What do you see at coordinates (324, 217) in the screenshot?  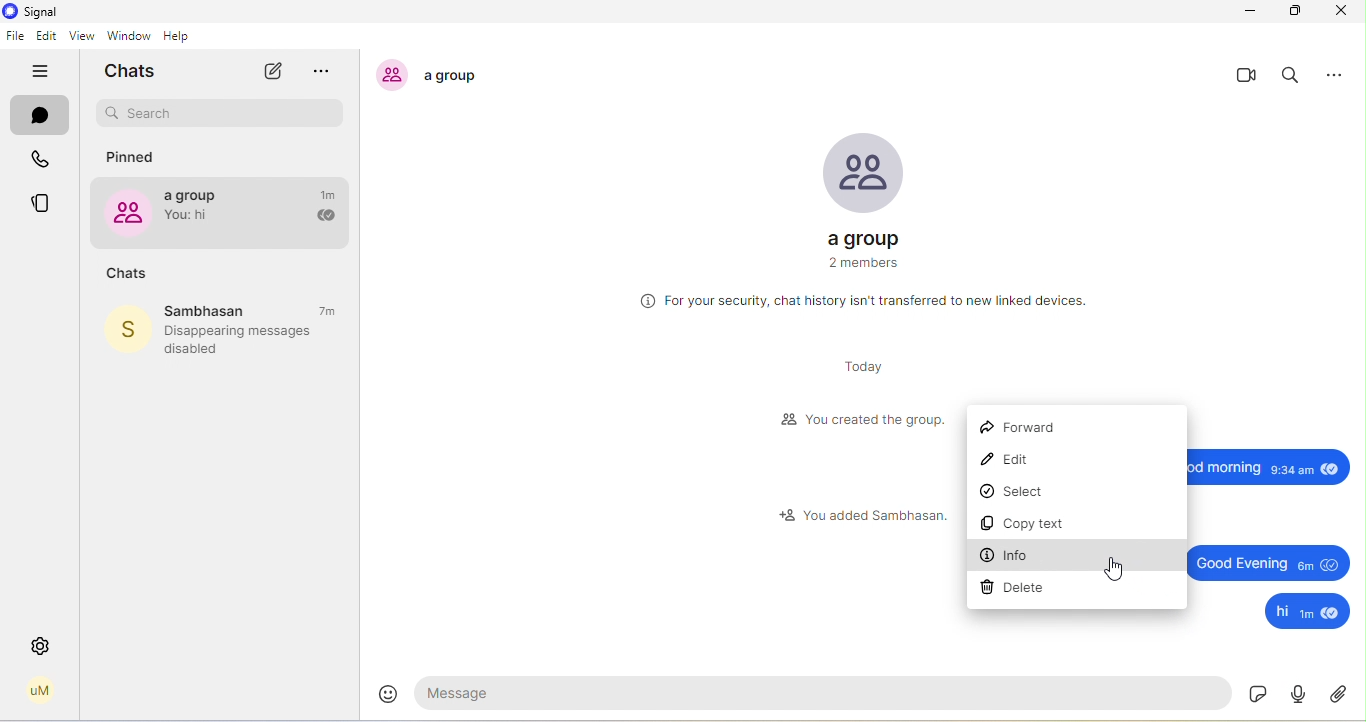 I see `message read/unread/delivery status` at bounding box center [324, 217].